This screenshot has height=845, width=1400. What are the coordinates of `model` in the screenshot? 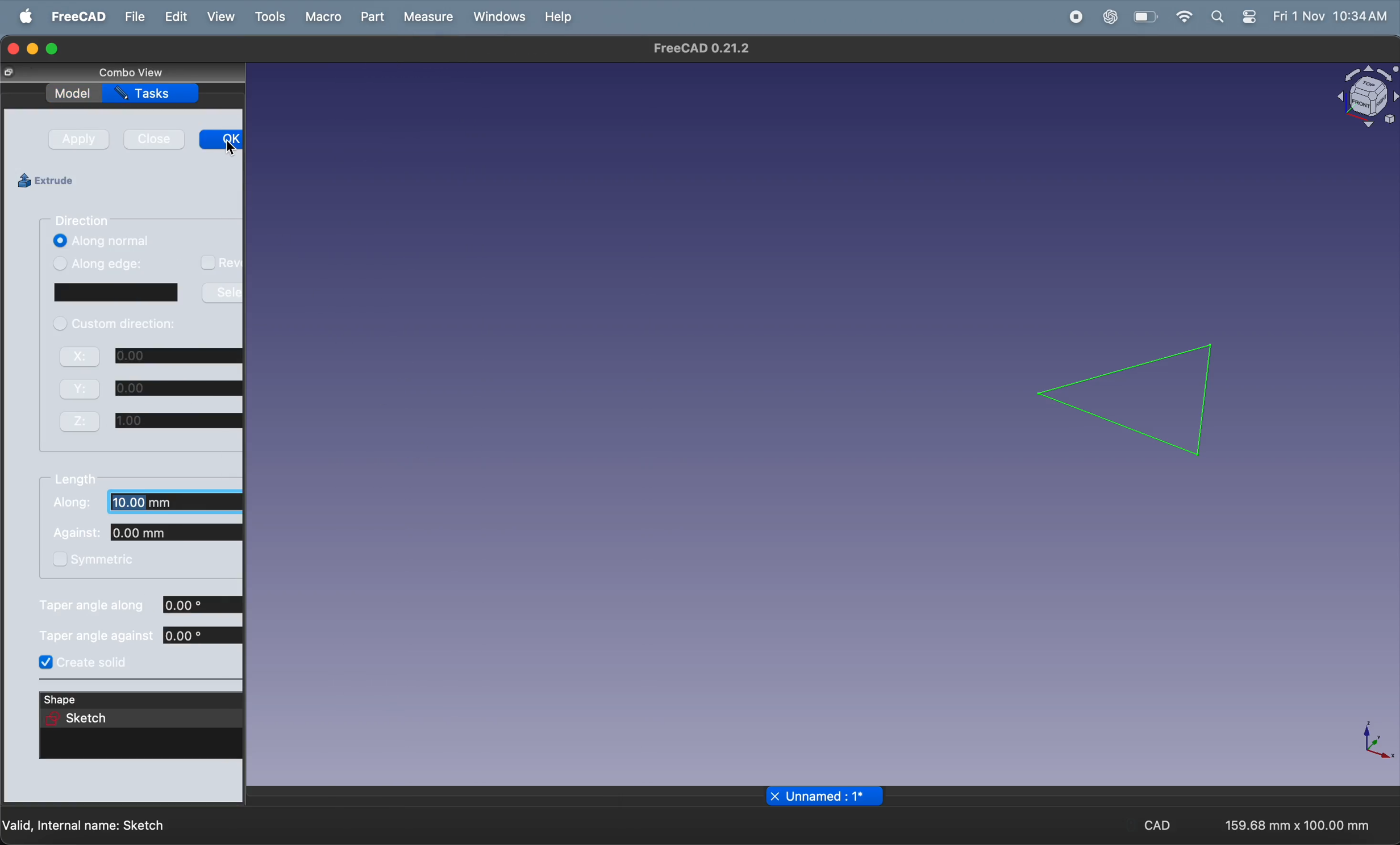 It's located at (69, 93).